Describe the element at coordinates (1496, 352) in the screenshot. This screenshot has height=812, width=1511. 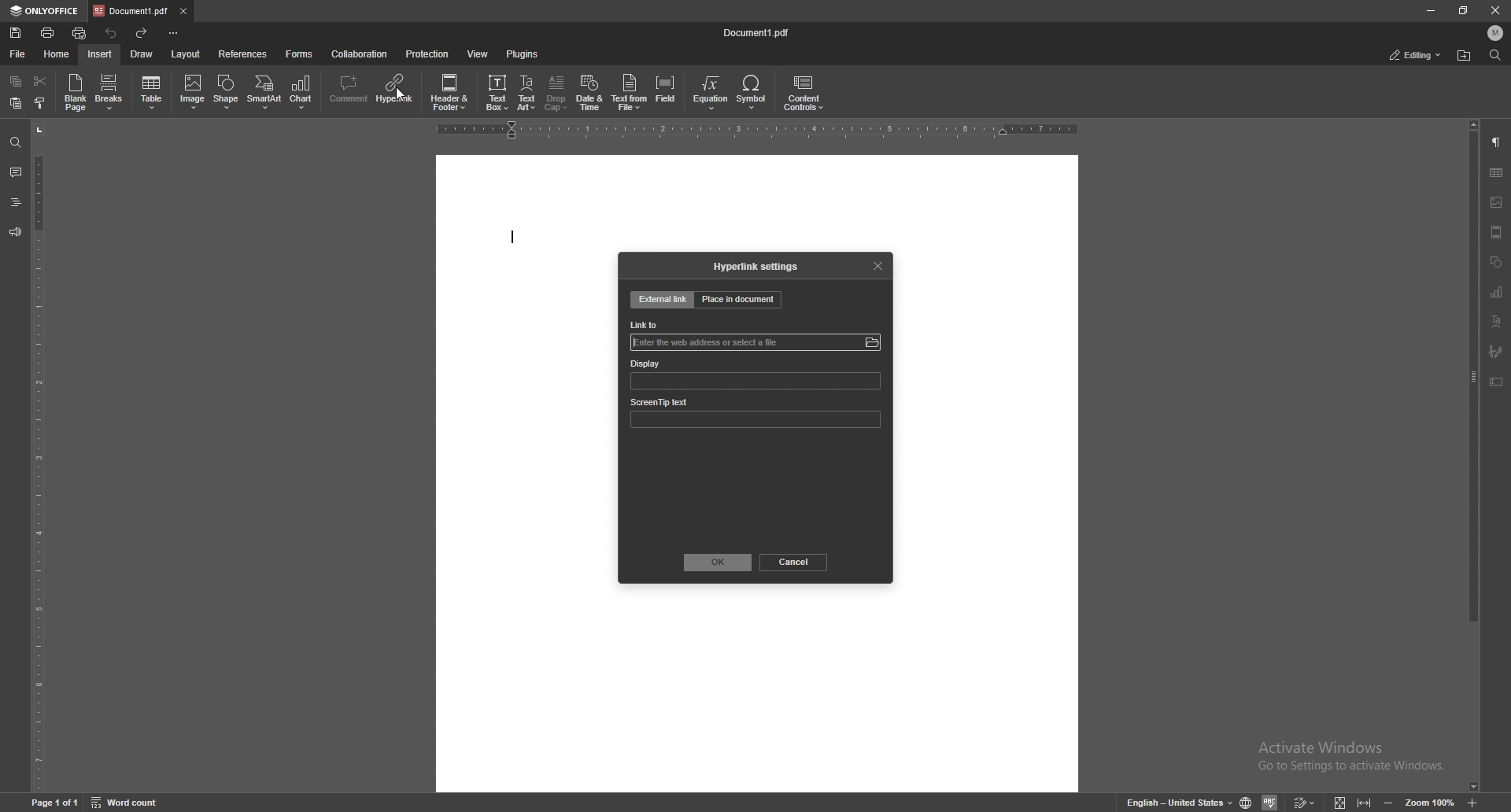
I see `signature field` at that location.